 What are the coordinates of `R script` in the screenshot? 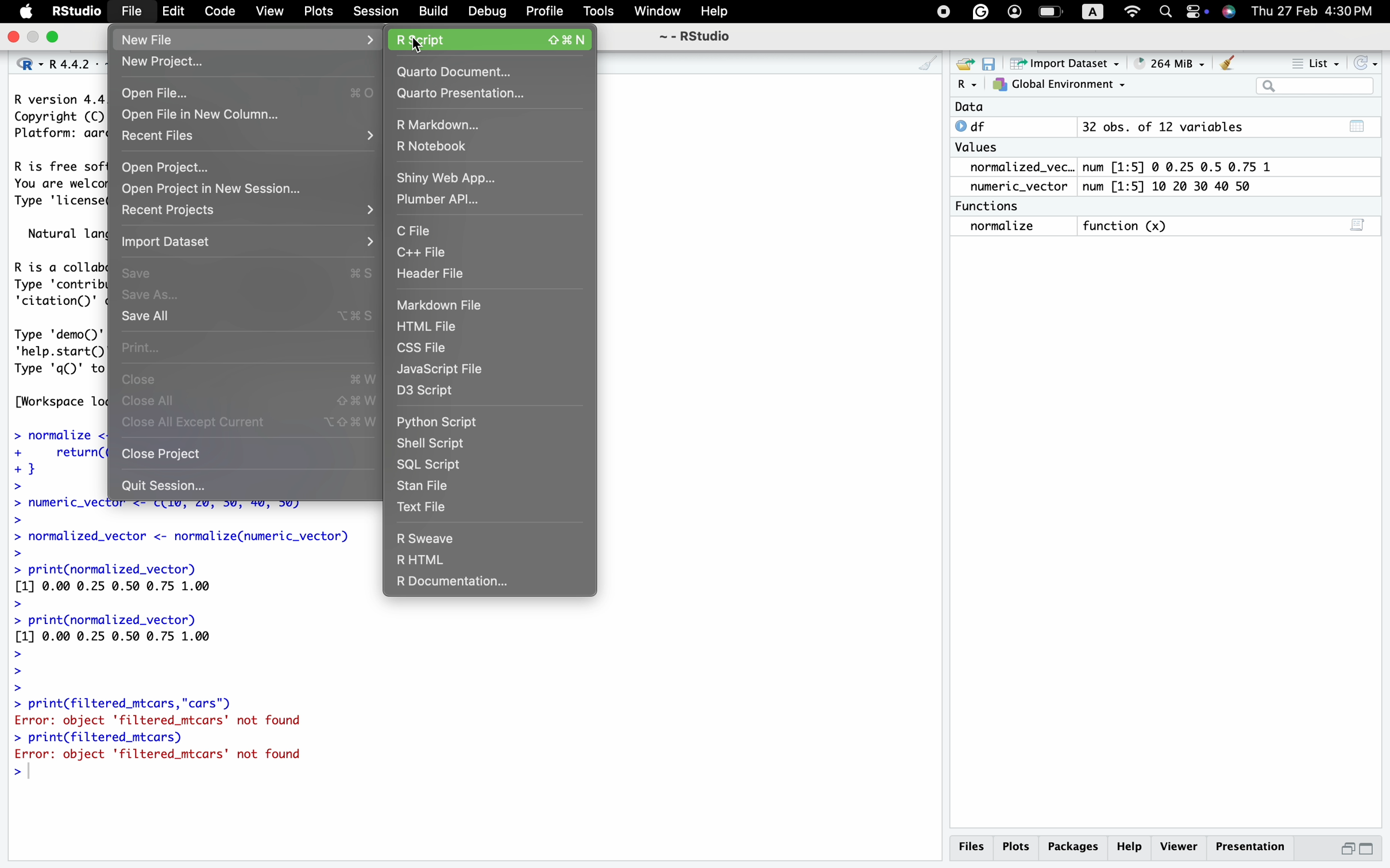 It's located at (491, 41).